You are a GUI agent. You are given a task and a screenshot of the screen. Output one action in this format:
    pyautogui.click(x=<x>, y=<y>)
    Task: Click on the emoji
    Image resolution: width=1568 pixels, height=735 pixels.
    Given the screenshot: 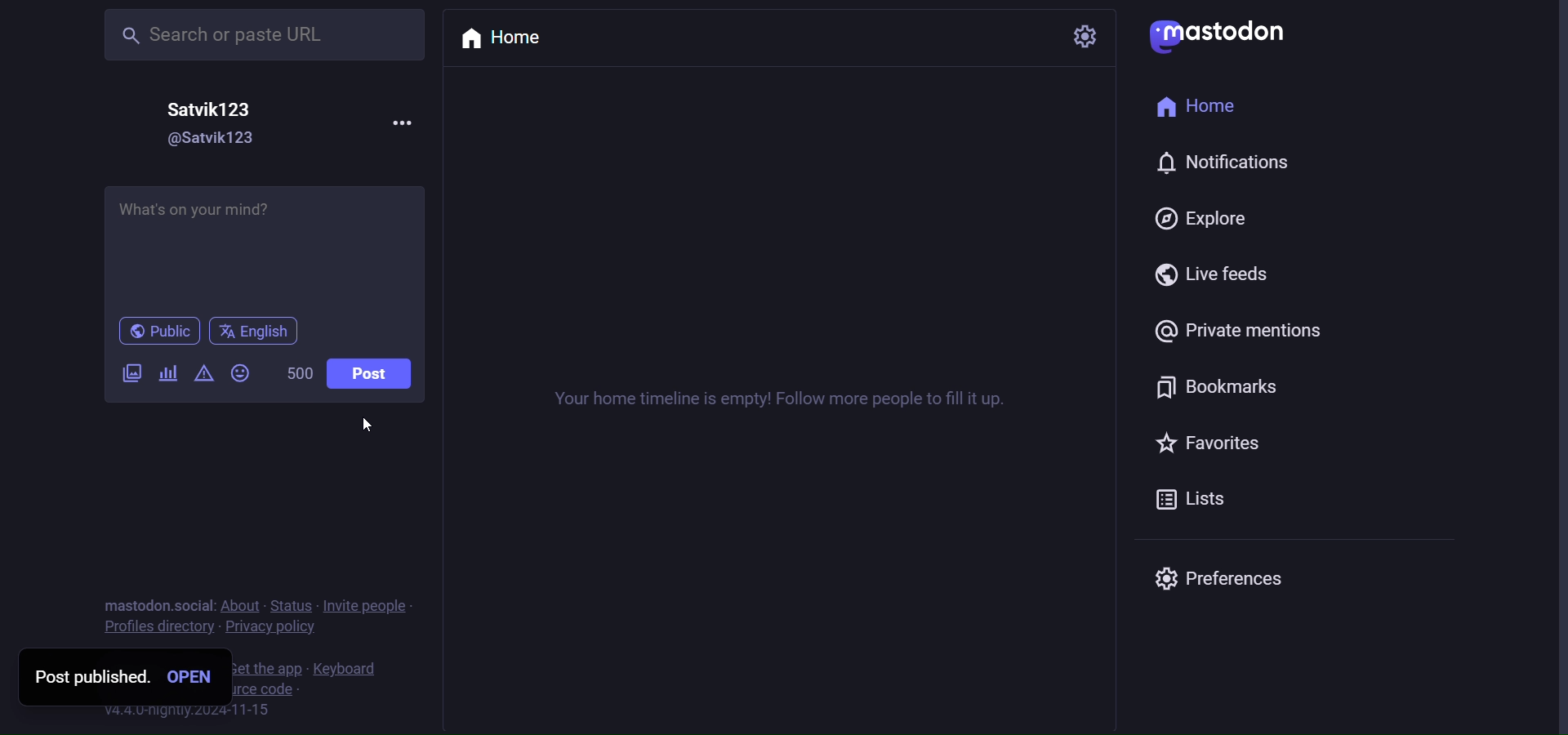 What is the action you would take?
    pyautogui.click(x=241, y=373)
    